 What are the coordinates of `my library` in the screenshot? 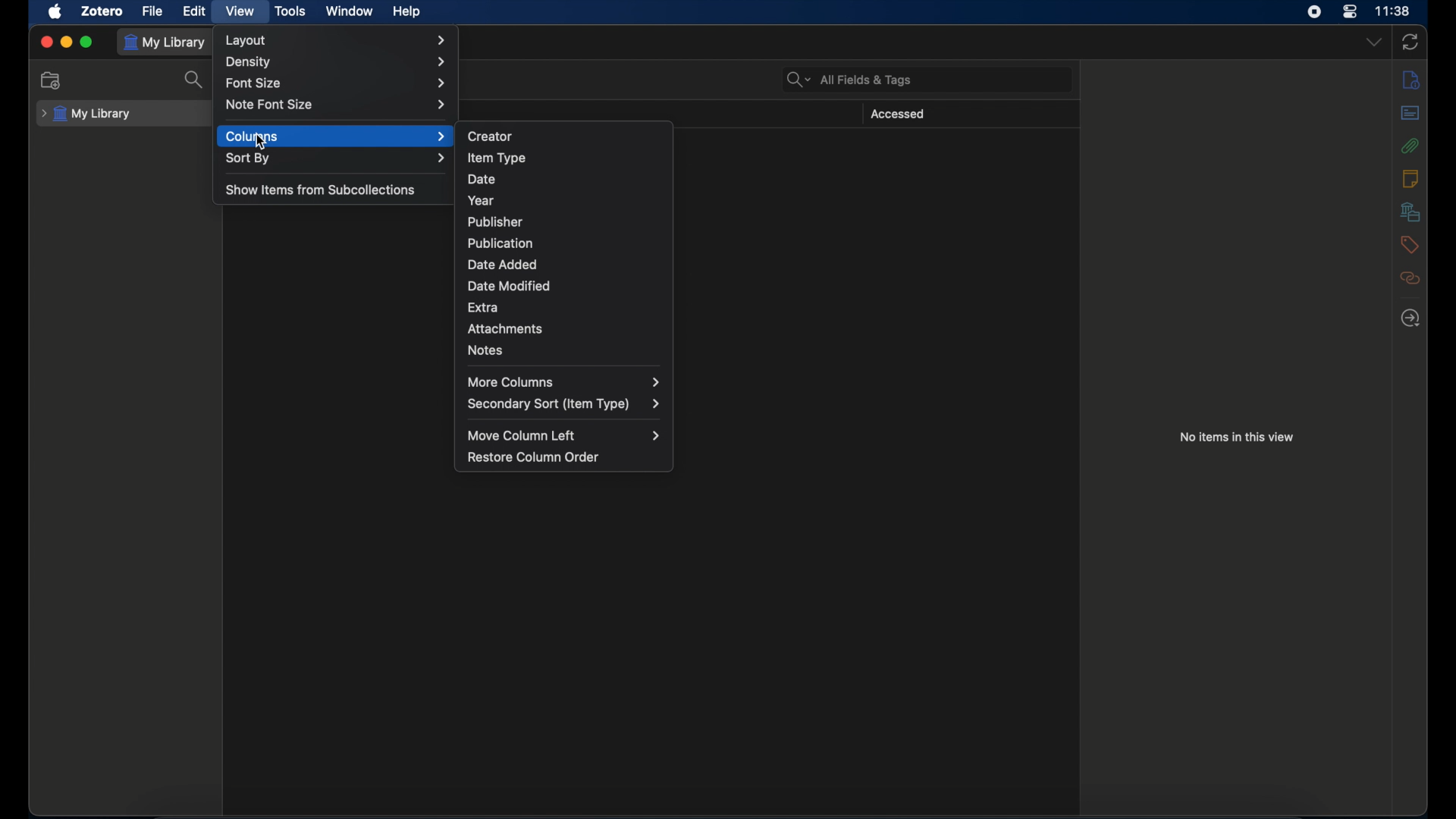 It's located at (86, 114).